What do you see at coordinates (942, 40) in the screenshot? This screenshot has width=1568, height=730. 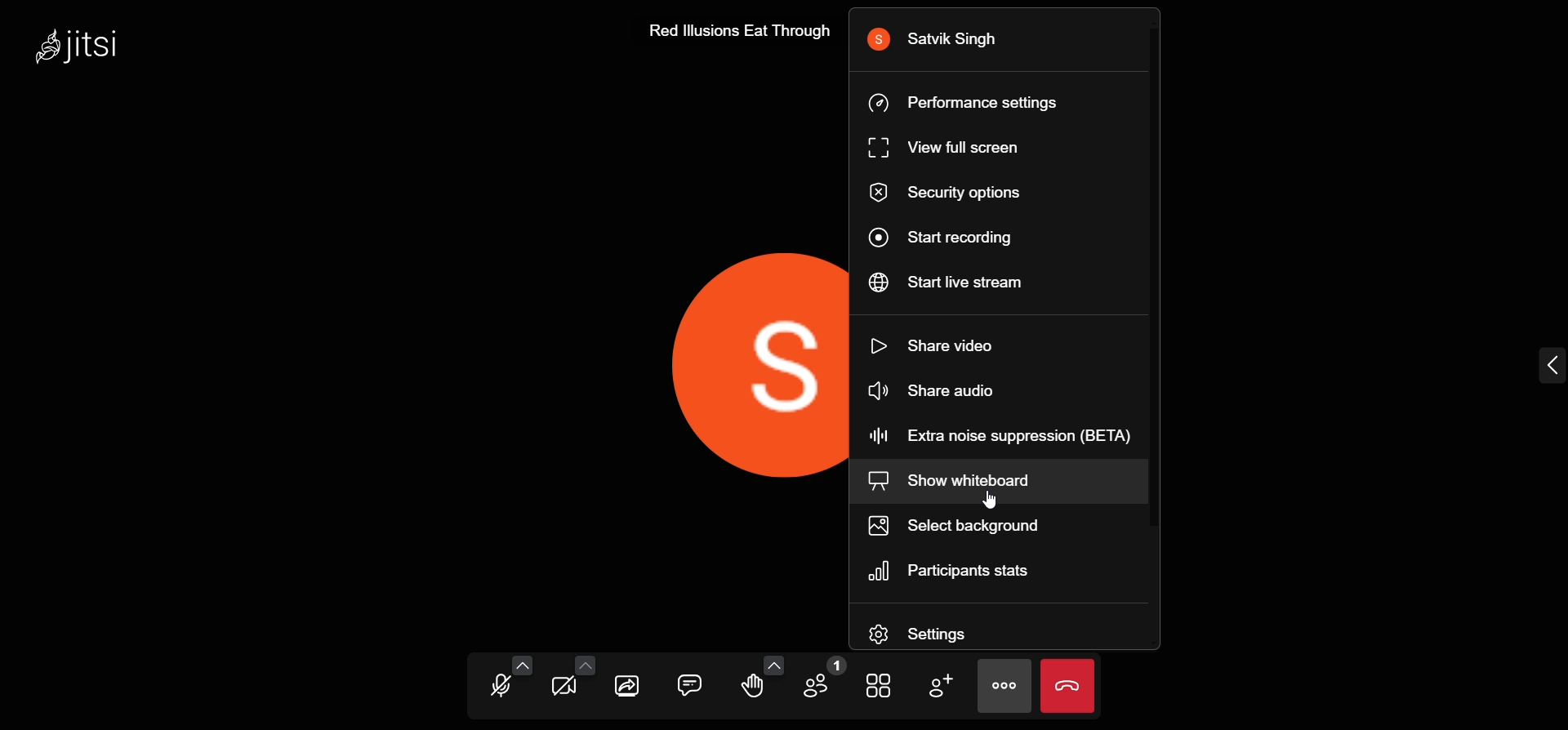 I see `Satvik Singh` at bounding box center [942, 40].